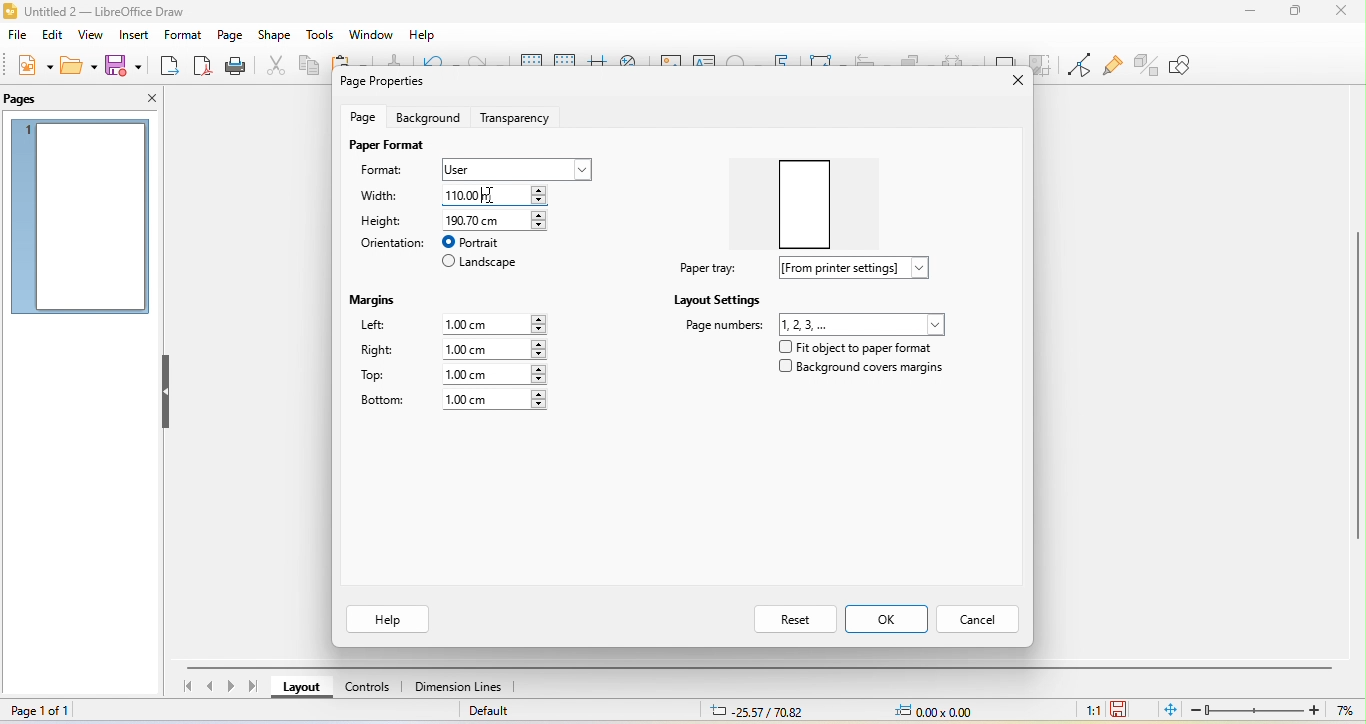 Image resolution: width=1366 pixels, height=724 pixels. Describe the element at coordinates (382, 401) in the screenshot. I see `bottom` at that location.